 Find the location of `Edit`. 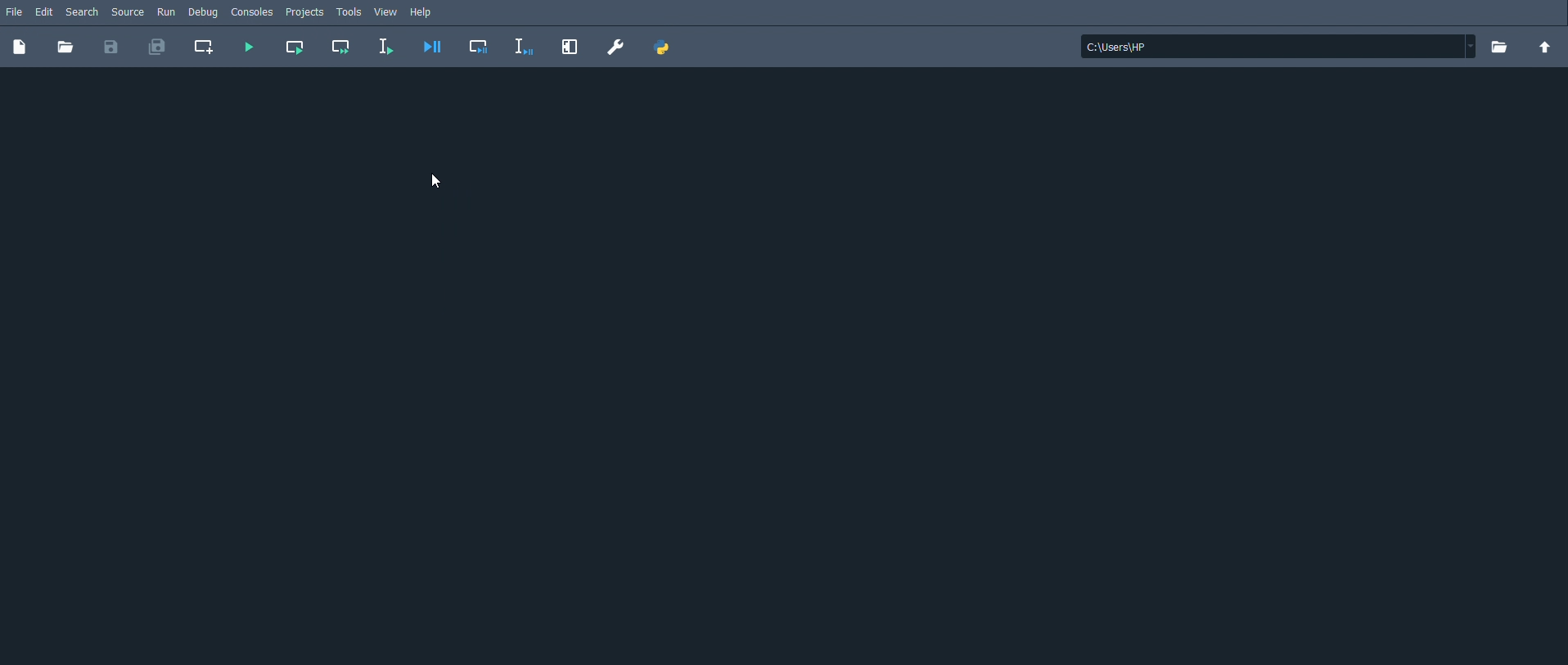

Edit is located at coordinates (43, 11).